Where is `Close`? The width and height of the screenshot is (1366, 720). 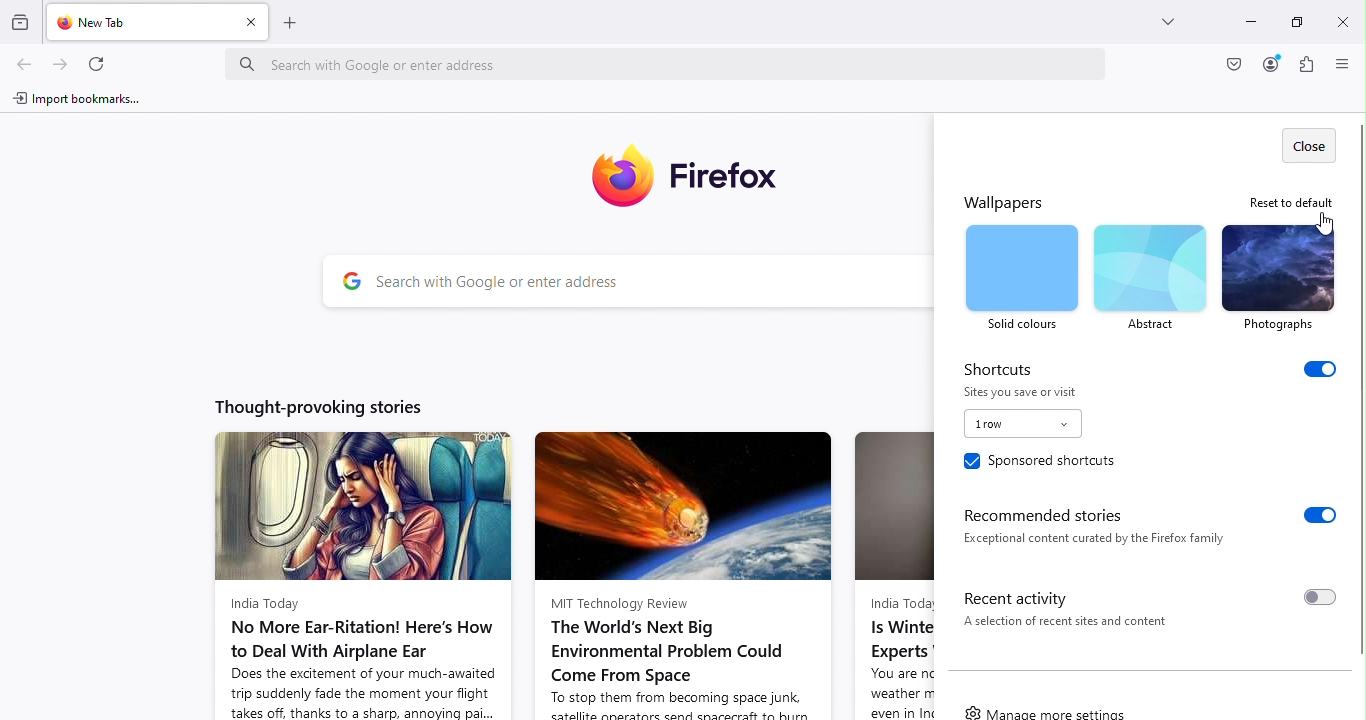
Close is located at coordinates (1308, 140).